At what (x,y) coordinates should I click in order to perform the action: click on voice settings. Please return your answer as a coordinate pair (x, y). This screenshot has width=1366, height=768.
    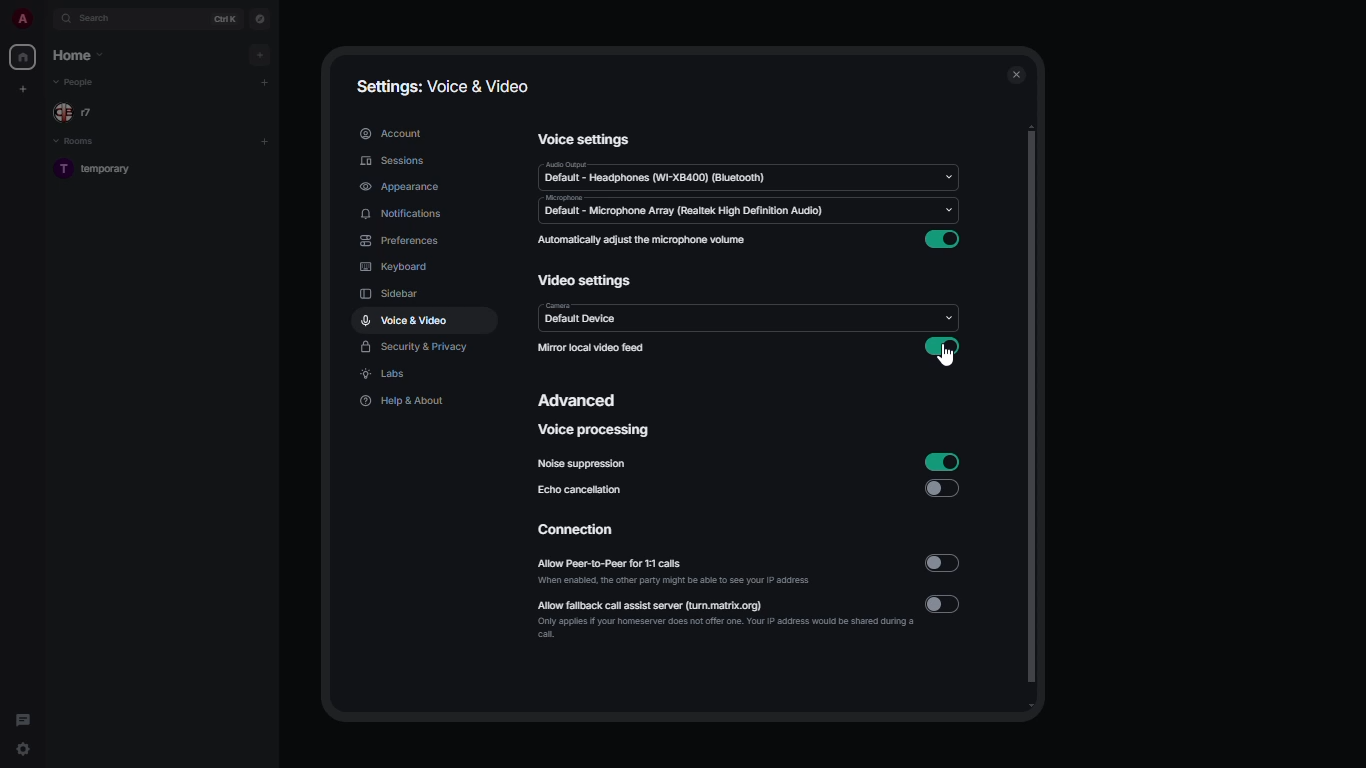
    Looking at the image, I should click on (586, 138).